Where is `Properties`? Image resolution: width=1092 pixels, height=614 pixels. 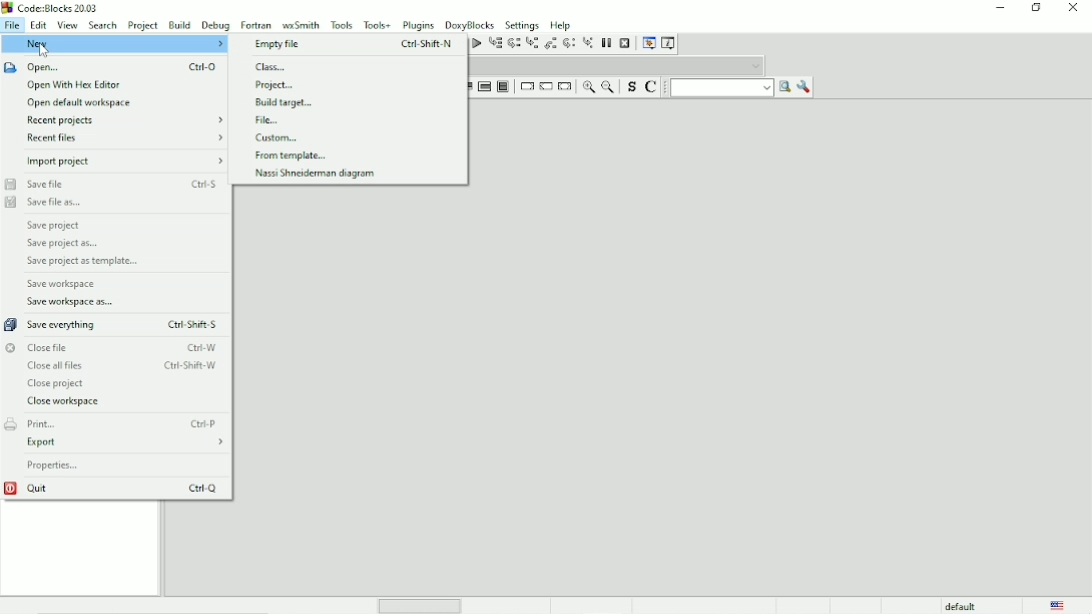
Properties is located at coordinates (55, 466).